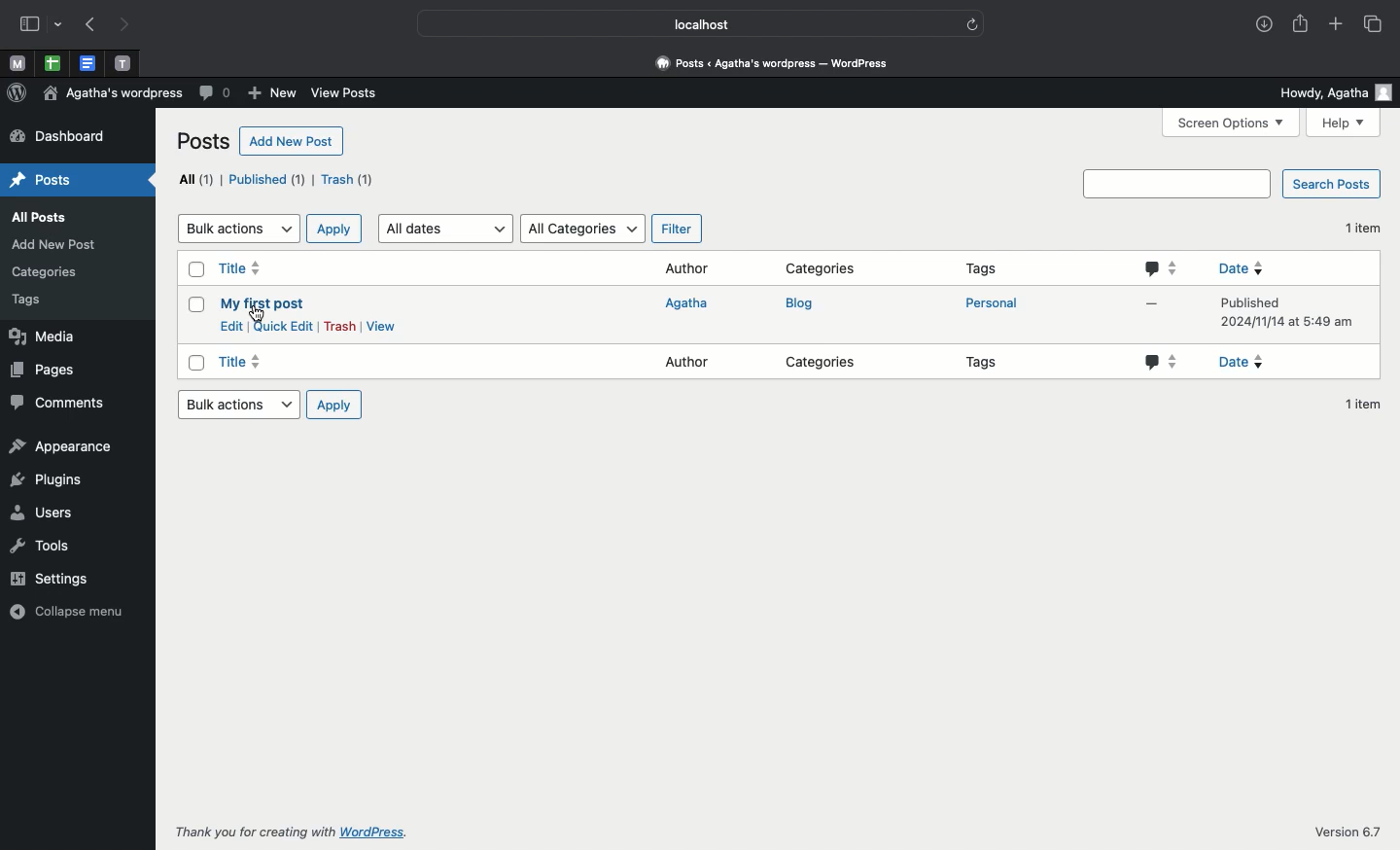 This screenshot has height=850, width=1400. I want to click on Title, so click(241, 362).